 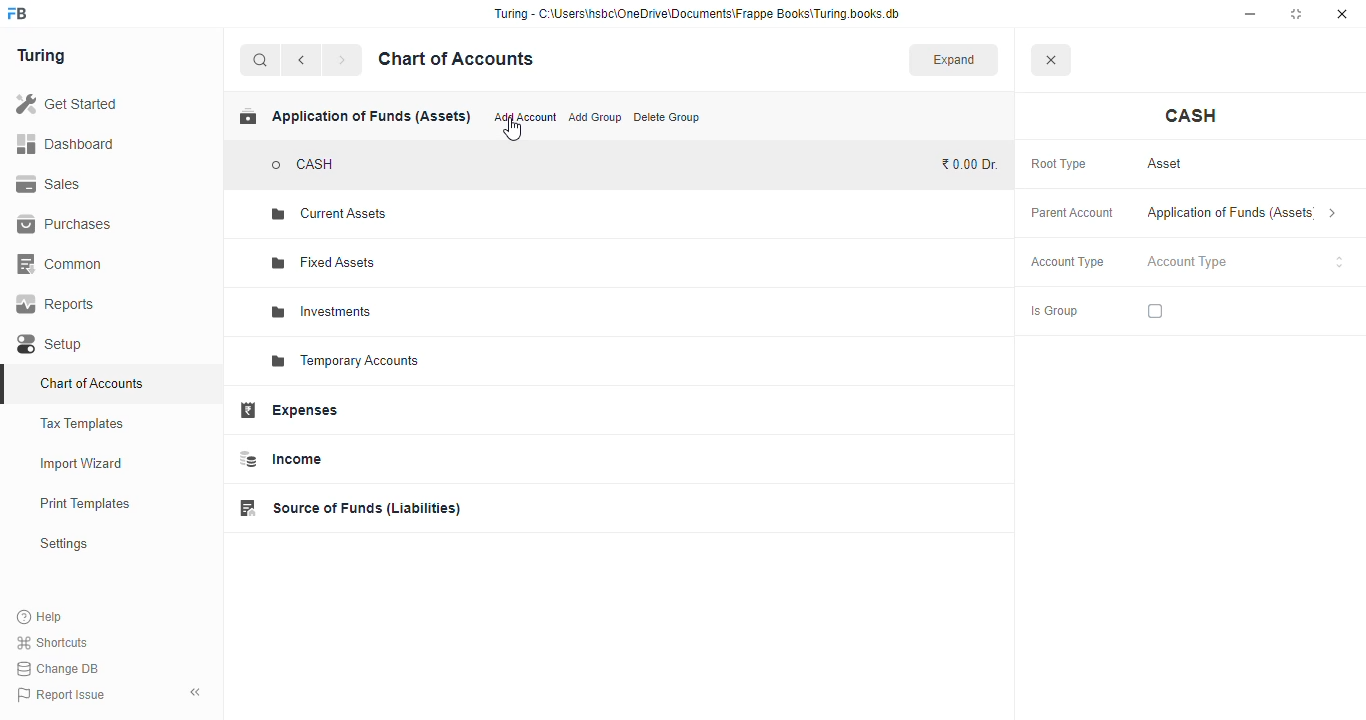 I want to click on is group, so click(x=1054, y=312).